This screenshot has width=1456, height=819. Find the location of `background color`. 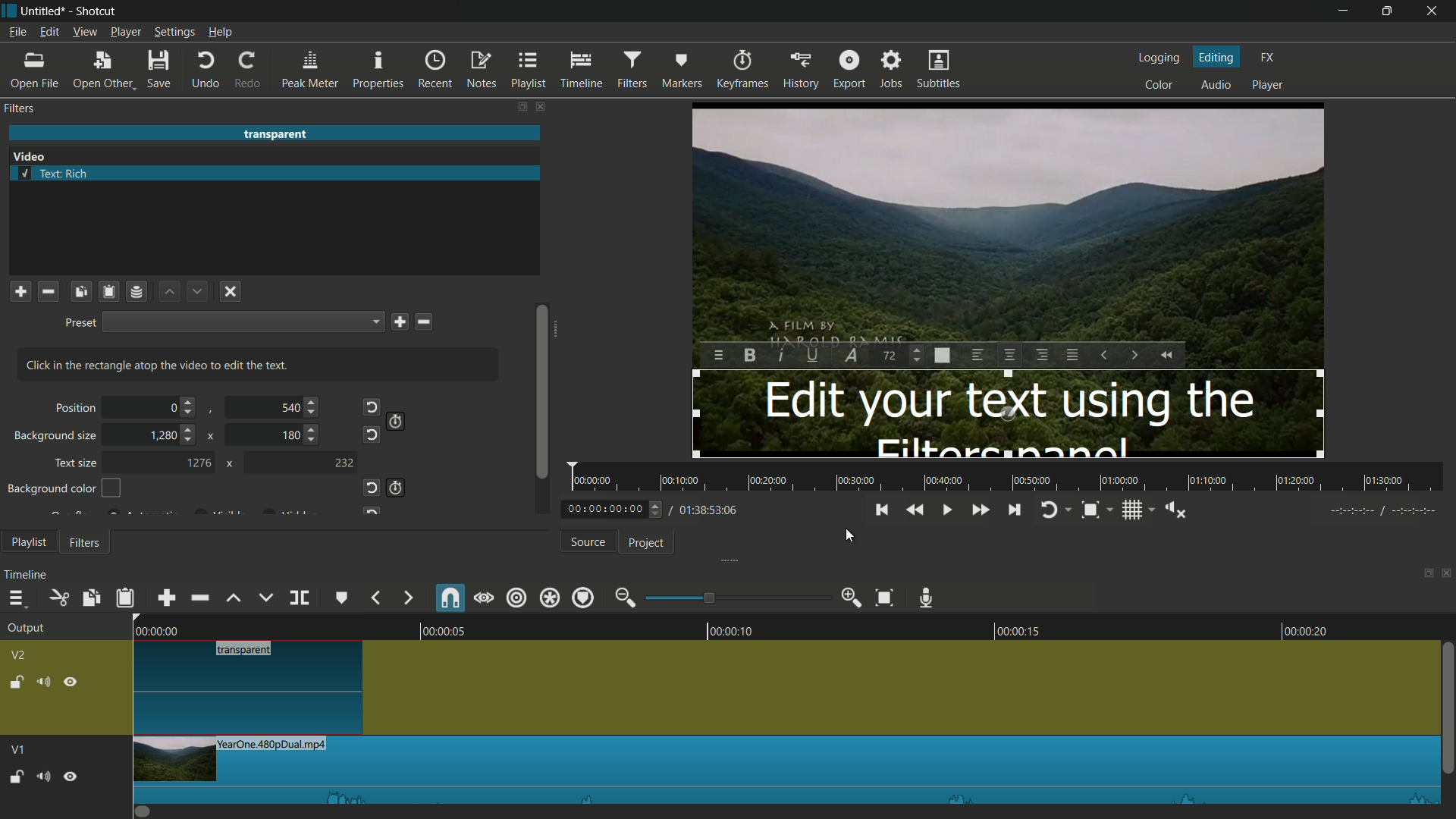

background color is located at coordinates (65, 488).